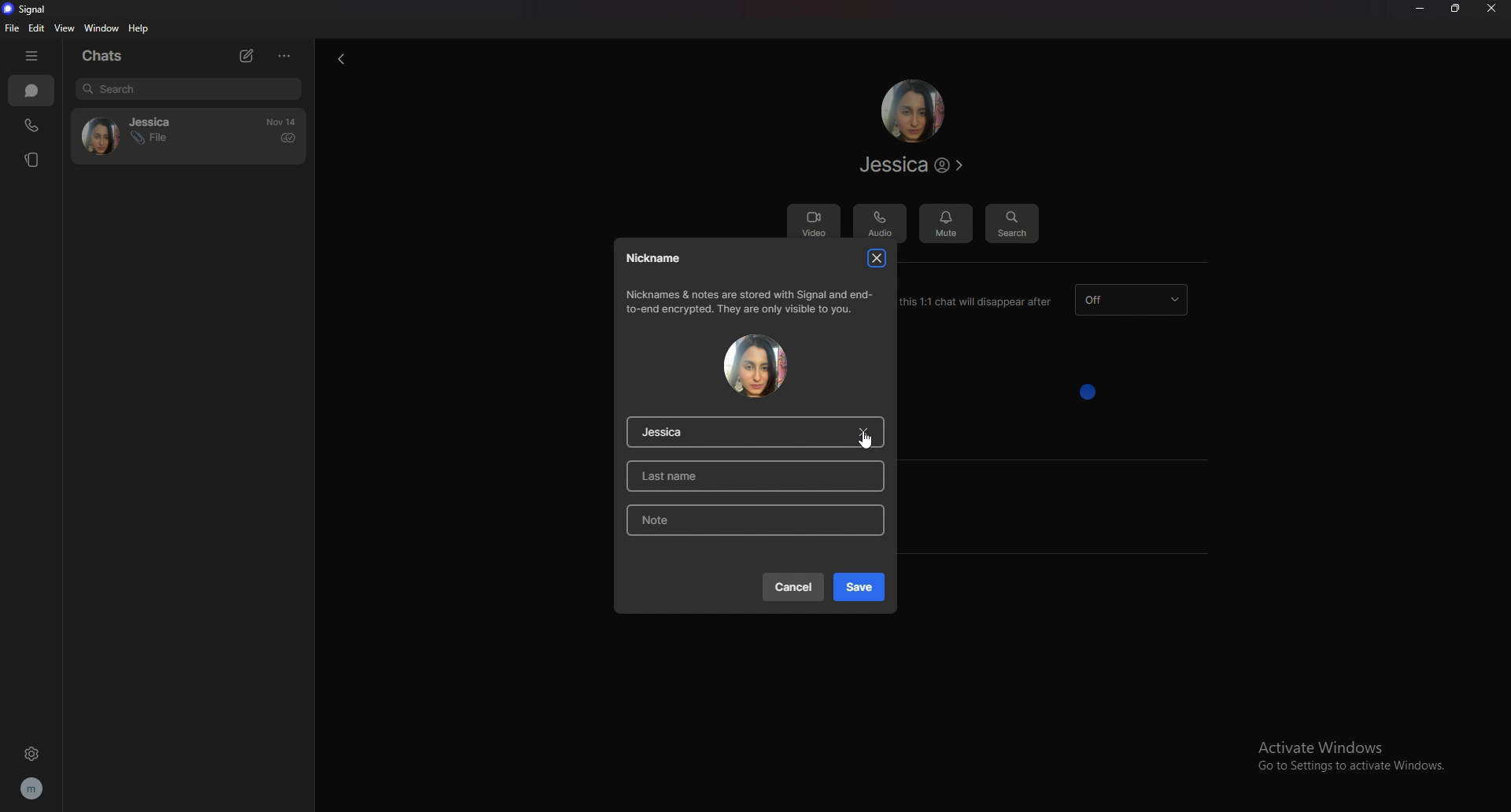  I want to click on contact info, so click(911, 164).